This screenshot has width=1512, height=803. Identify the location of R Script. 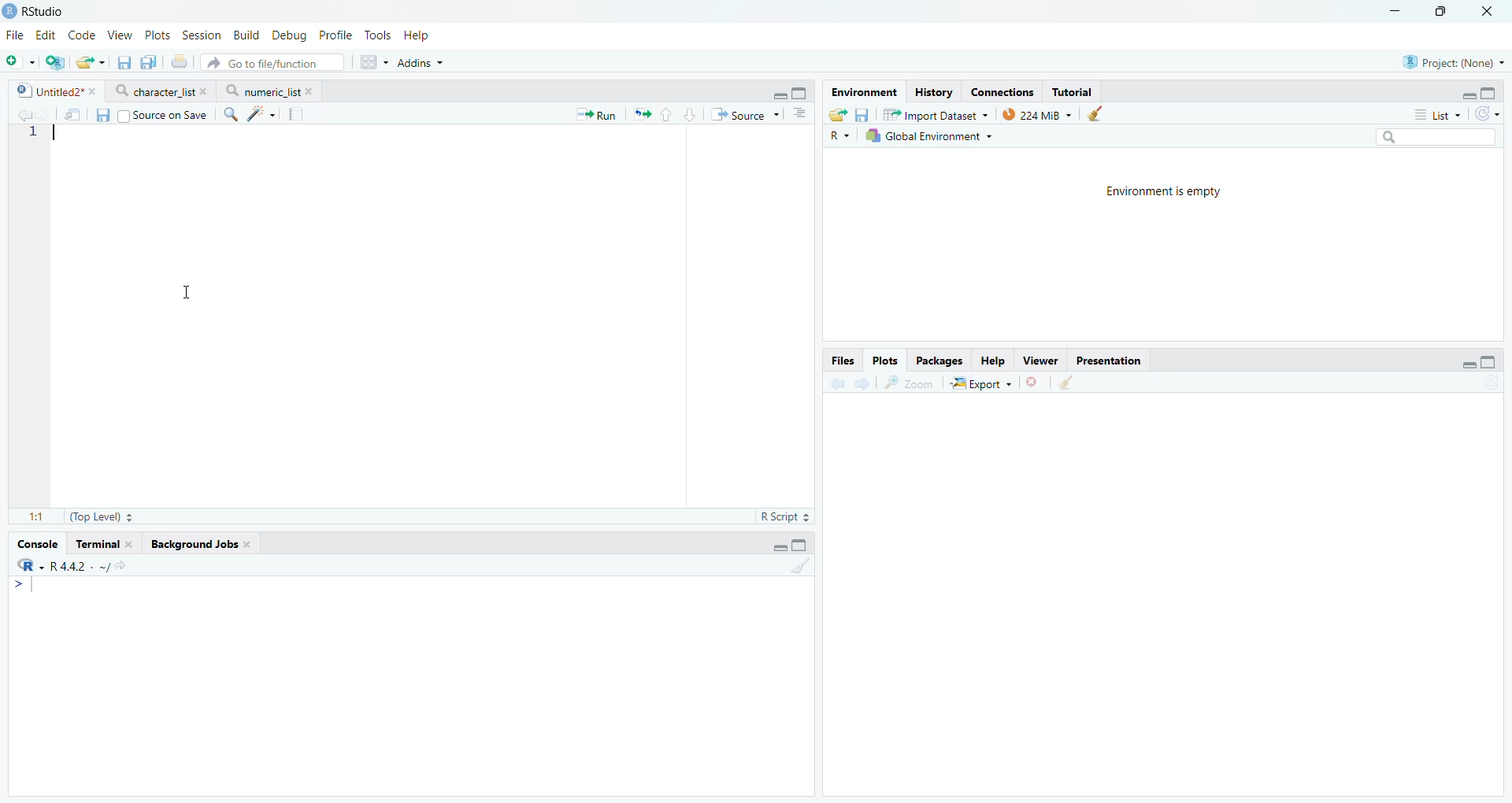
(786, 516).